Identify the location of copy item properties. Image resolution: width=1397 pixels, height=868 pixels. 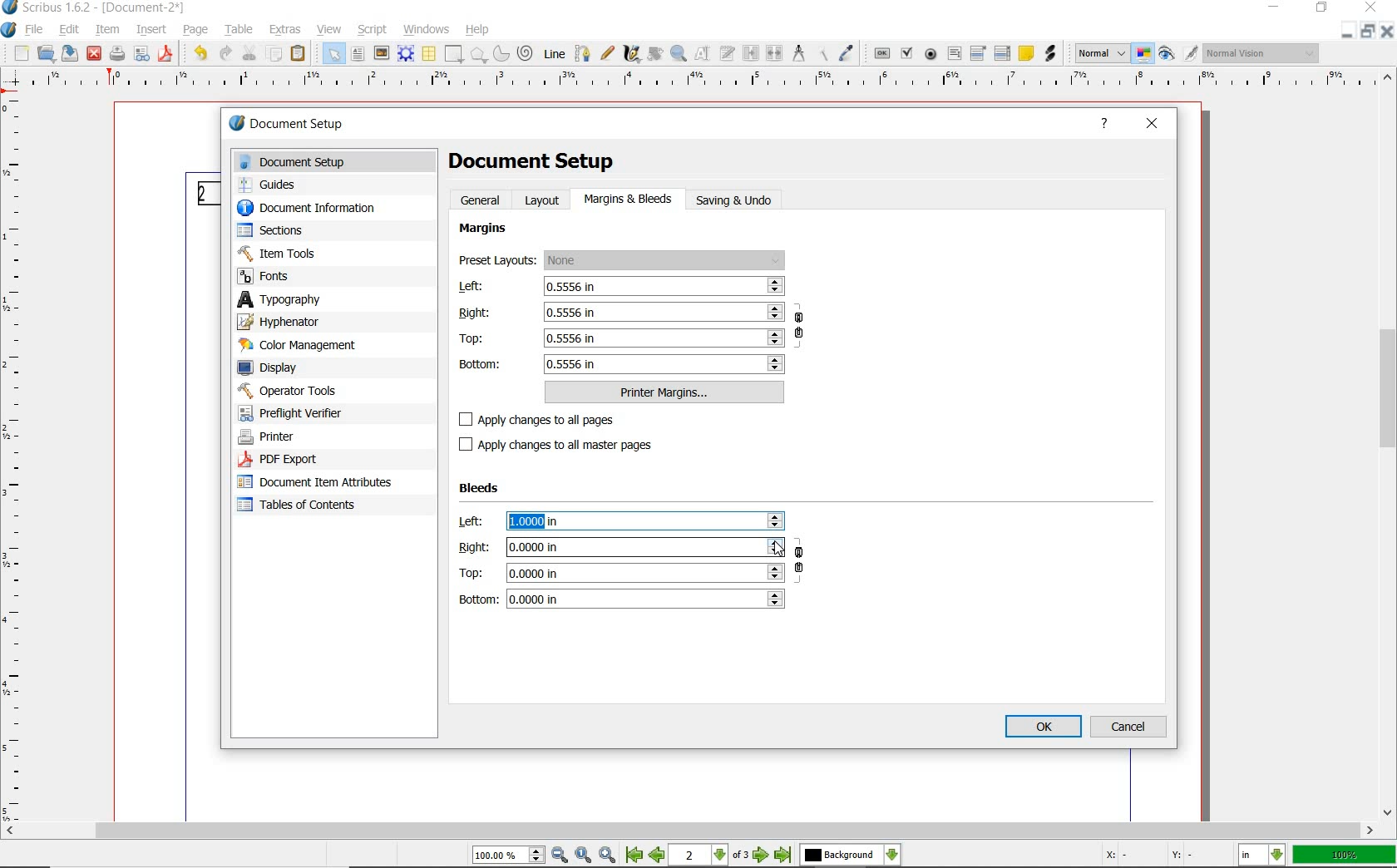
(823, 55).